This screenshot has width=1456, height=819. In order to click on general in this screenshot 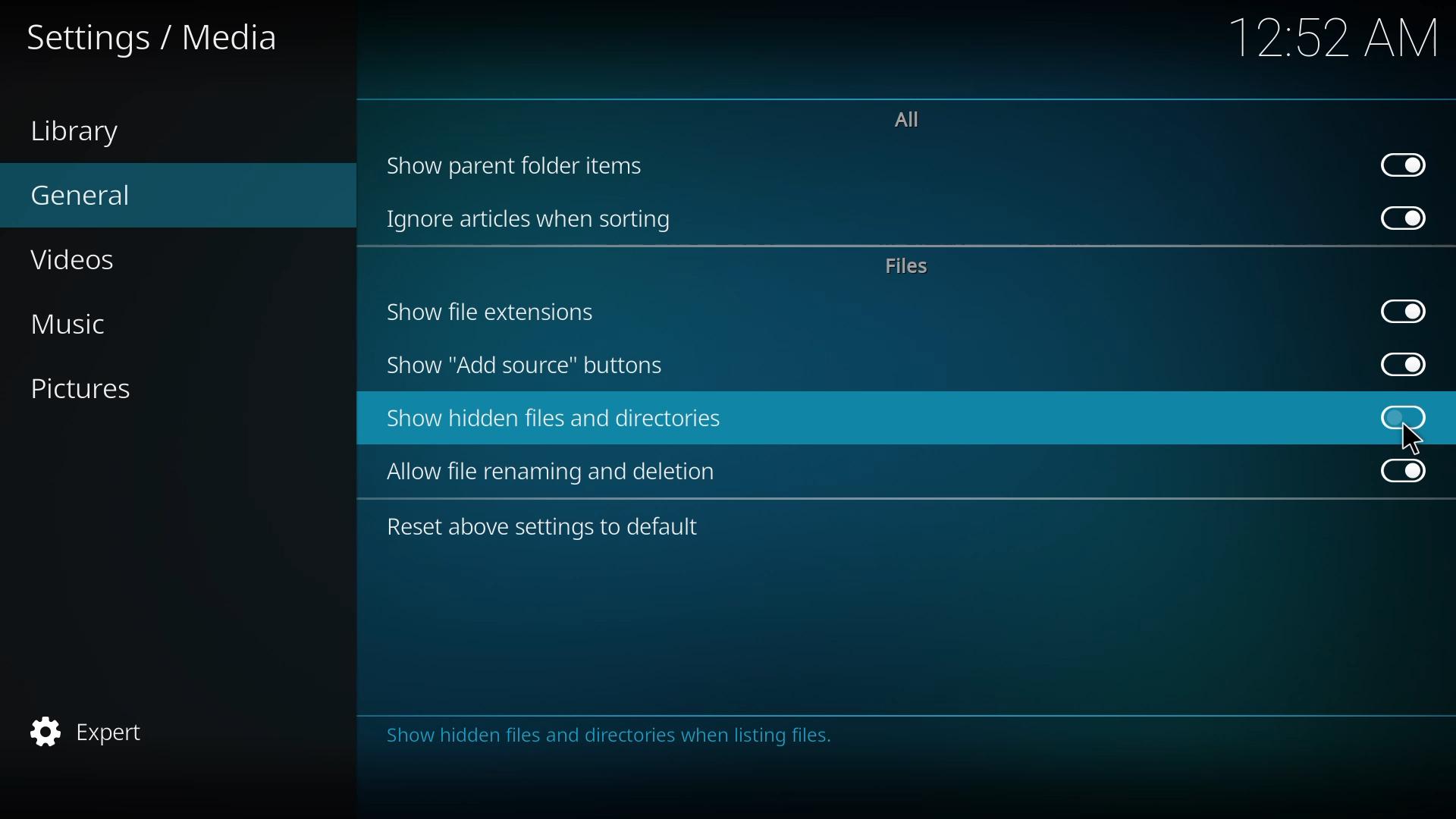, I will do `click(91, 196)`.